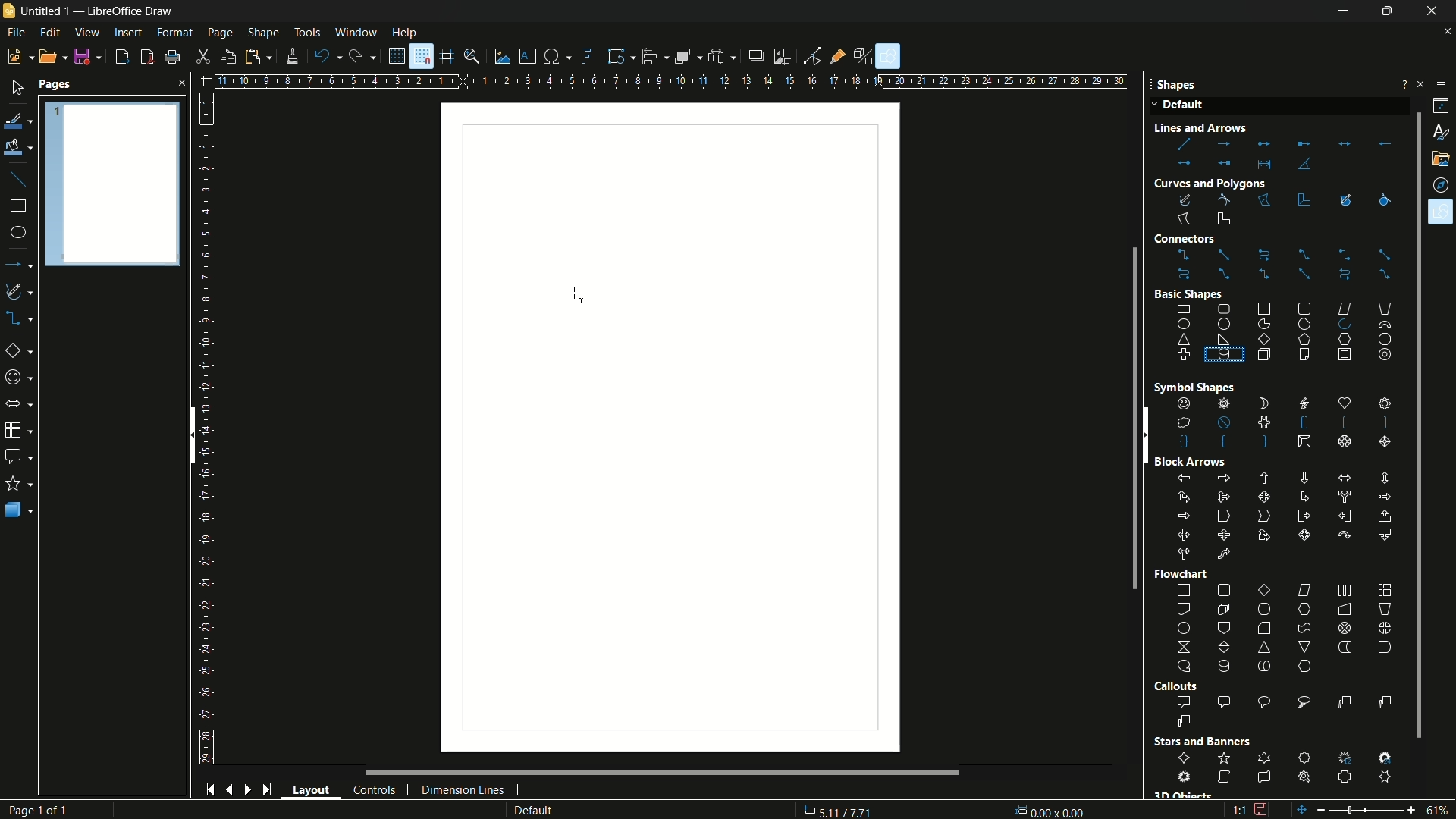 This screenshot has width=1456, height=819. I want to click on formatting, so click(294, 56).